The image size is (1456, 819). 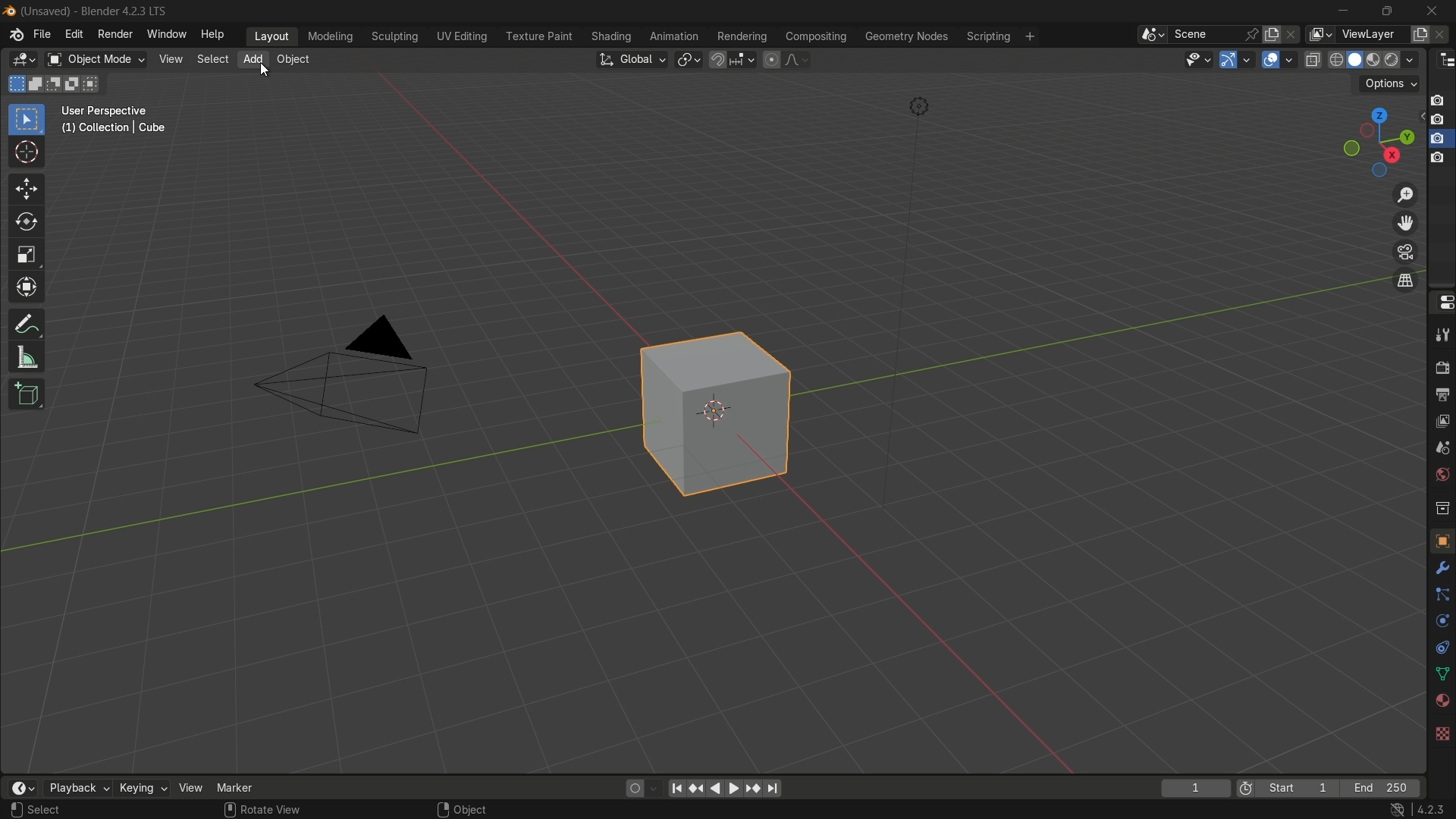 What do you see at coordinates (1195, 789) in the screenshot?
I see `1` at bounding box center [1195, 789].